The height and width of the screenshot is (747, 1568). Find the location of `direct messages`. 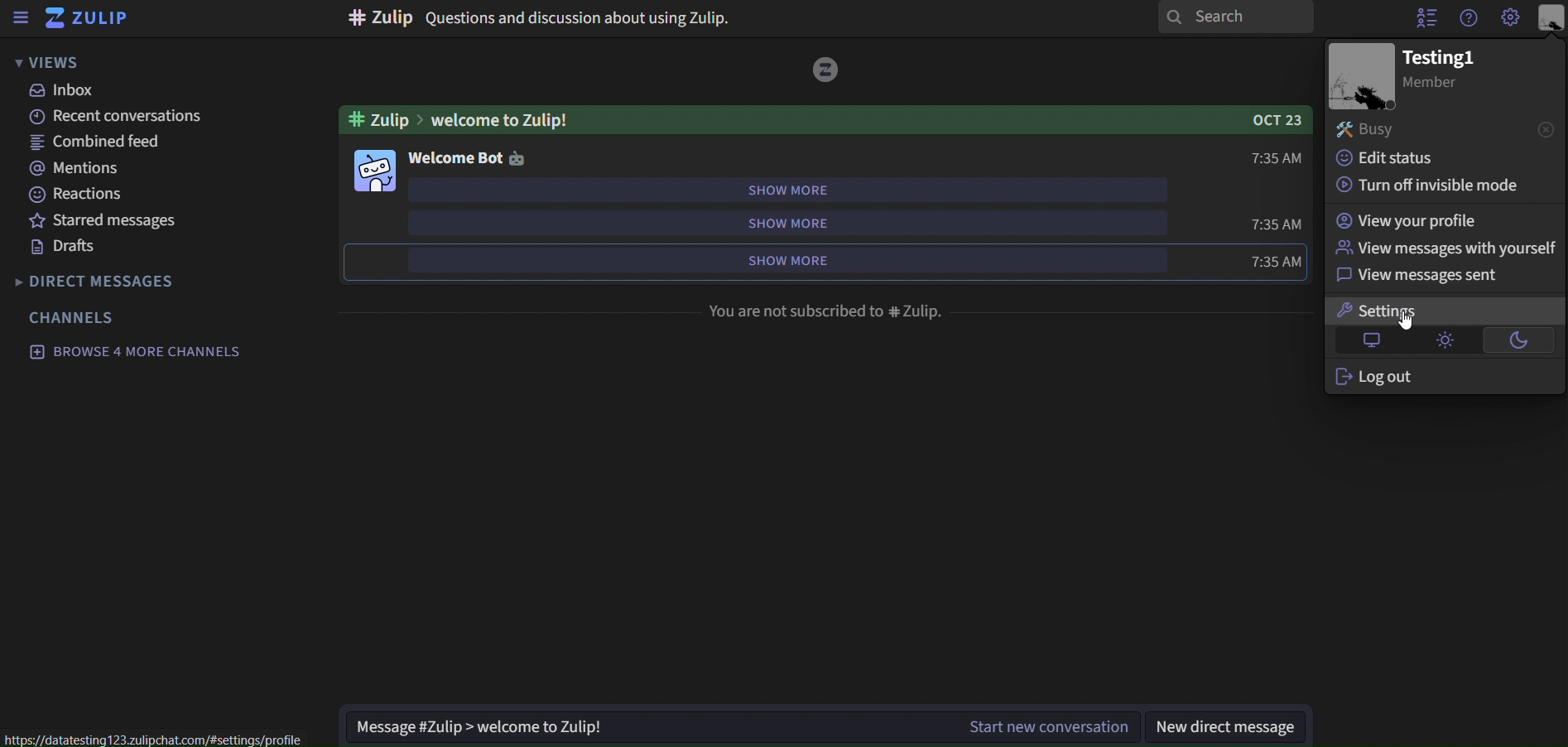

direct messages is located at coordinates (107, 282).